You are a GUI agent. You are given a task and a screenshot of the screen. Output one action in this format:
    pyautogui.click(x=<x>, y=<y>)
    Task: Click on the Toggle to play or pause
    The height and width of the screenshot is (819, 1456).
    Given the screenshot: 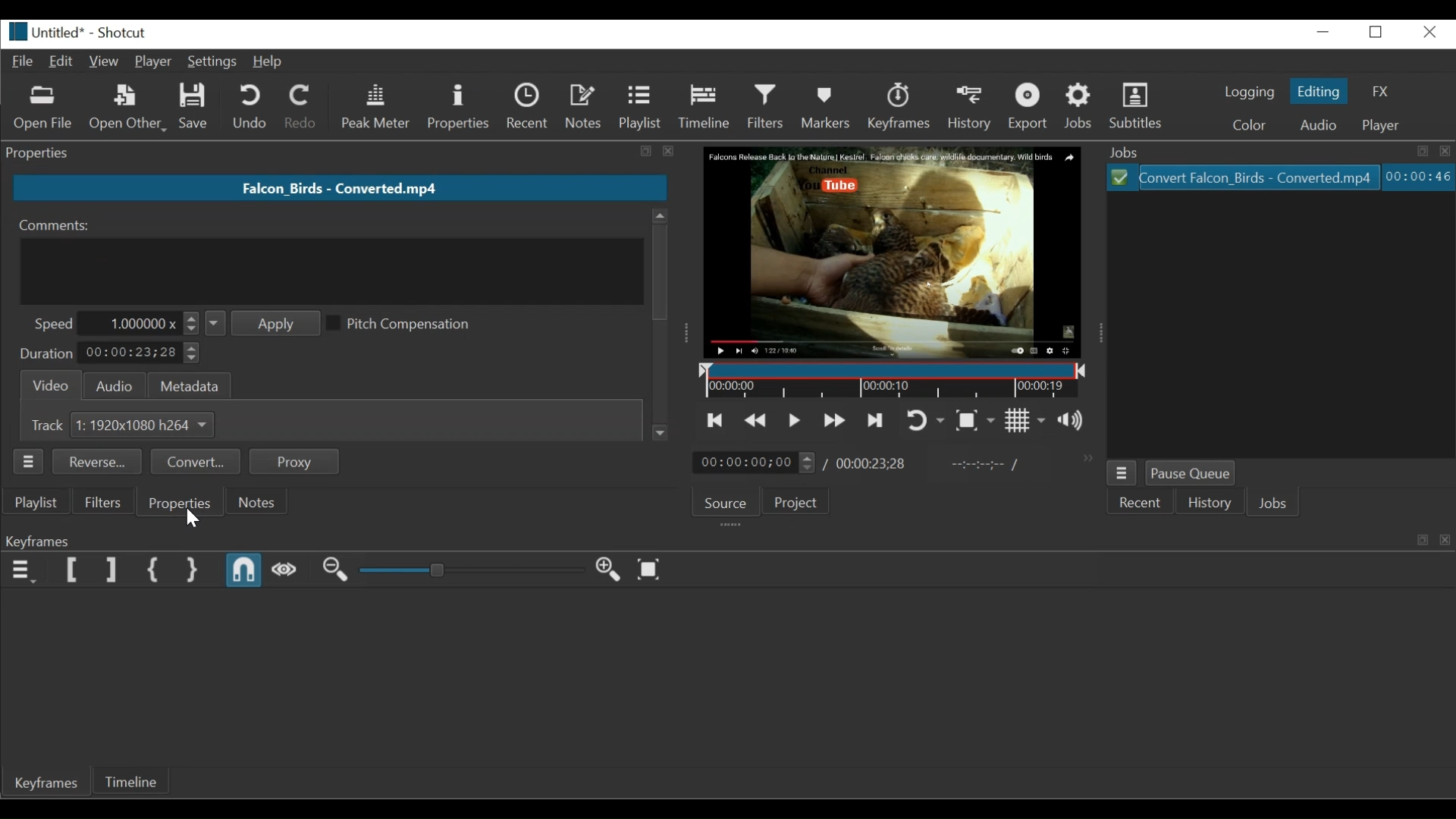 What is the action you would take?
    pyautogui.click(x=795, y=419)
    